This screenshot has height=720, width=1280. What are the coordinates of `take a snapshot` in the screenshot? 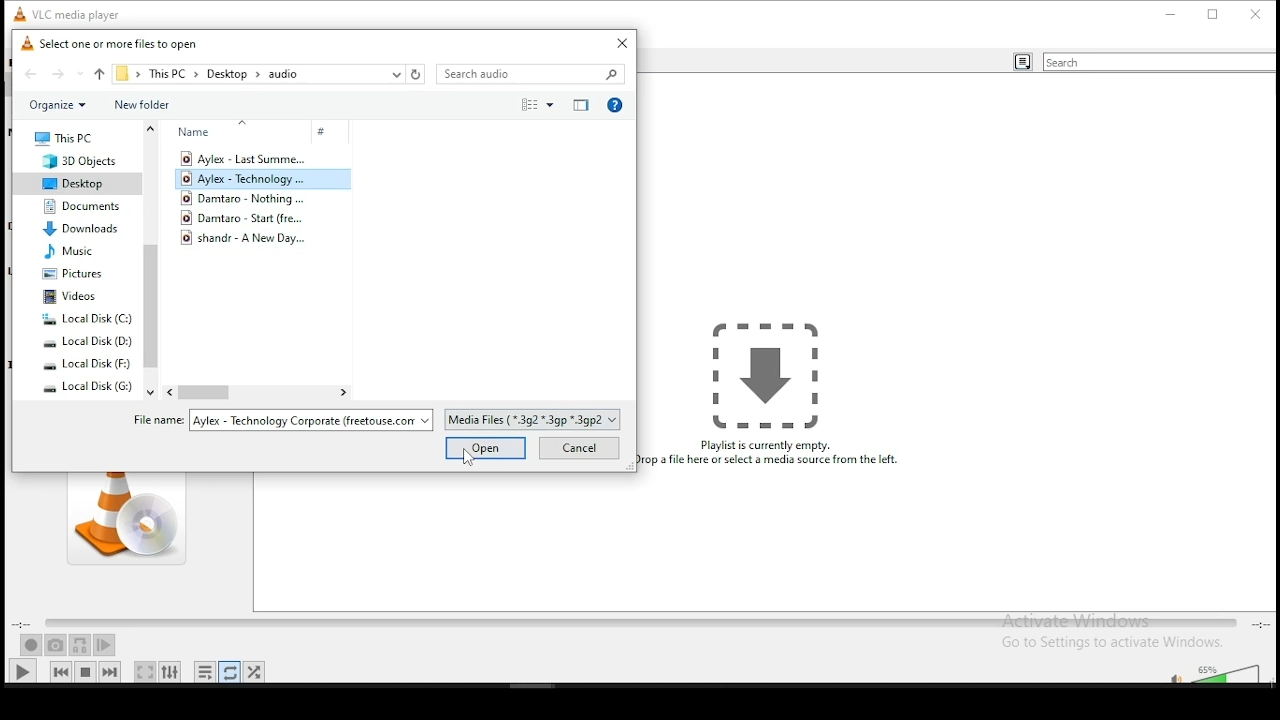 It's located at (56, 646).